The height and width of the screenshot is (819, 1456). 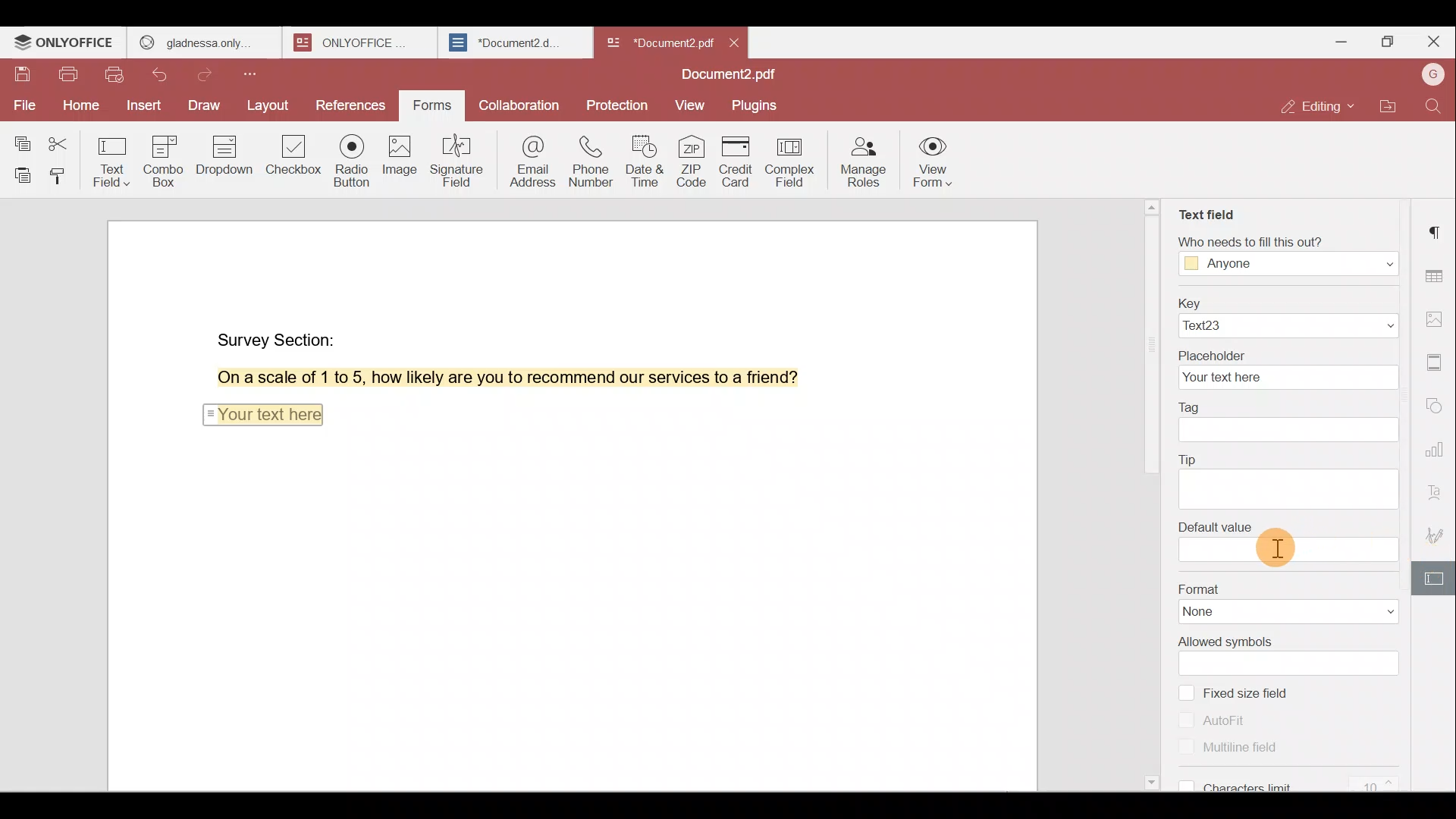 What do you see at coordinates (757, 104) in the screenshot?
I see `Plugins` at bounding box center [757, 104].